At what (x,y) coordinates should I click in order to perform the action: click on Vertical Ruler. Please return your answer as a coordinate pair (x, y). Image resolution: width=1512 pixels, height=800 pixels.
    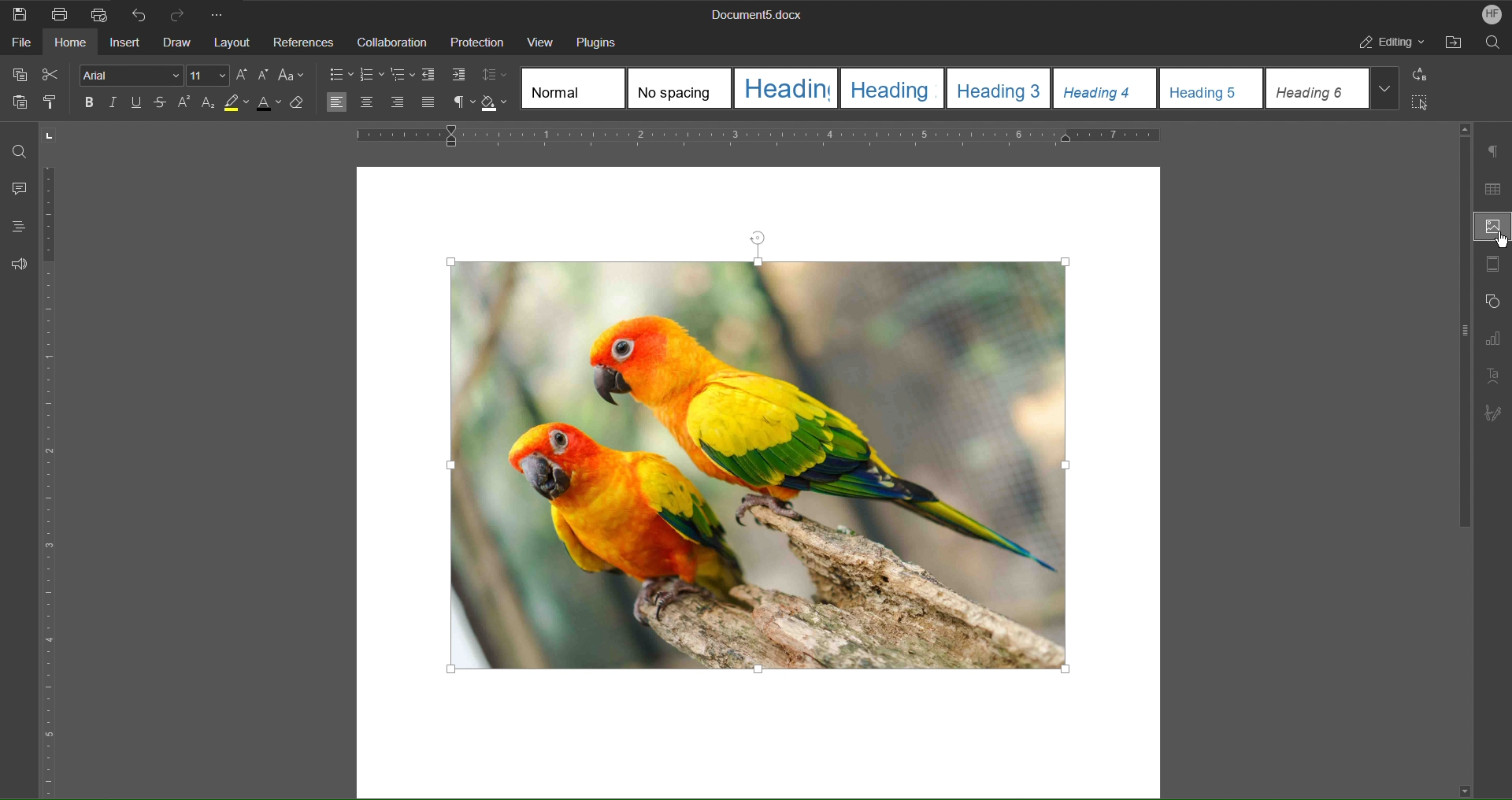
    Looking at the image, I should click on (51, 483).